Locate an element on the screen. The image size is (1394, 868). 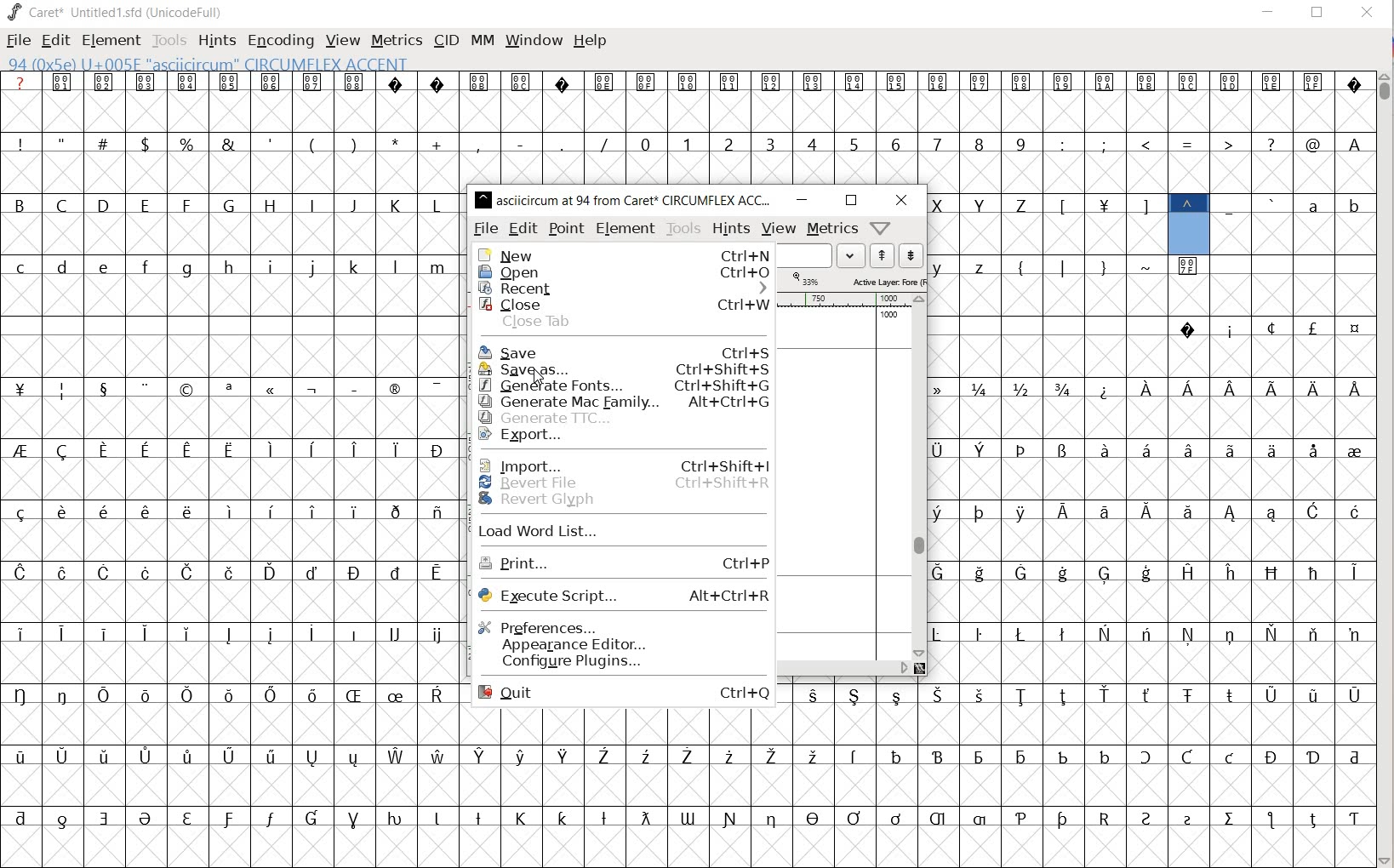
METRICS is located at coordinates (397, 41).